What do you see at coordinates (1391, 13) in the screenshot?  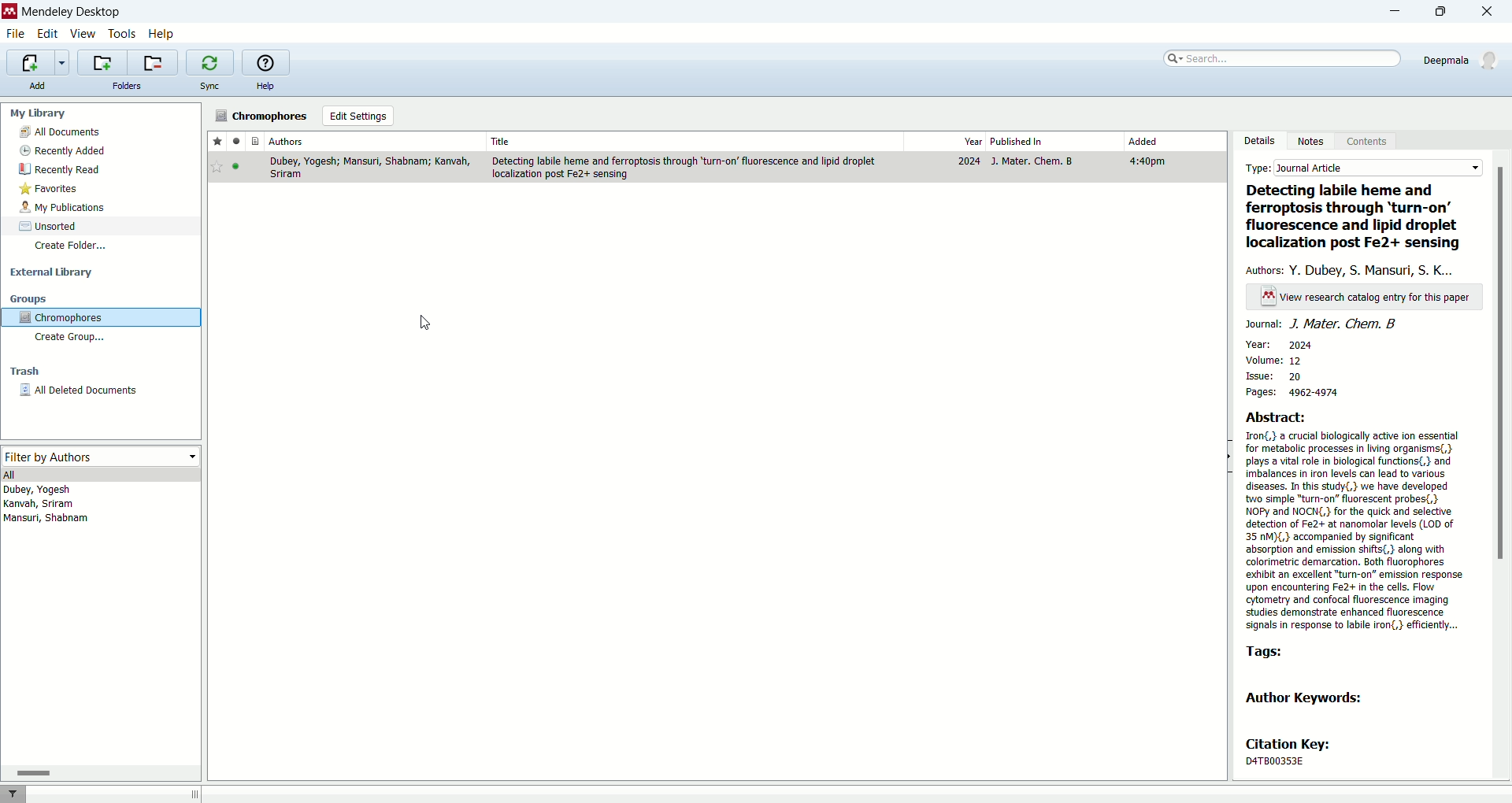 I see `minimize` at bounding box center [1391, 13].